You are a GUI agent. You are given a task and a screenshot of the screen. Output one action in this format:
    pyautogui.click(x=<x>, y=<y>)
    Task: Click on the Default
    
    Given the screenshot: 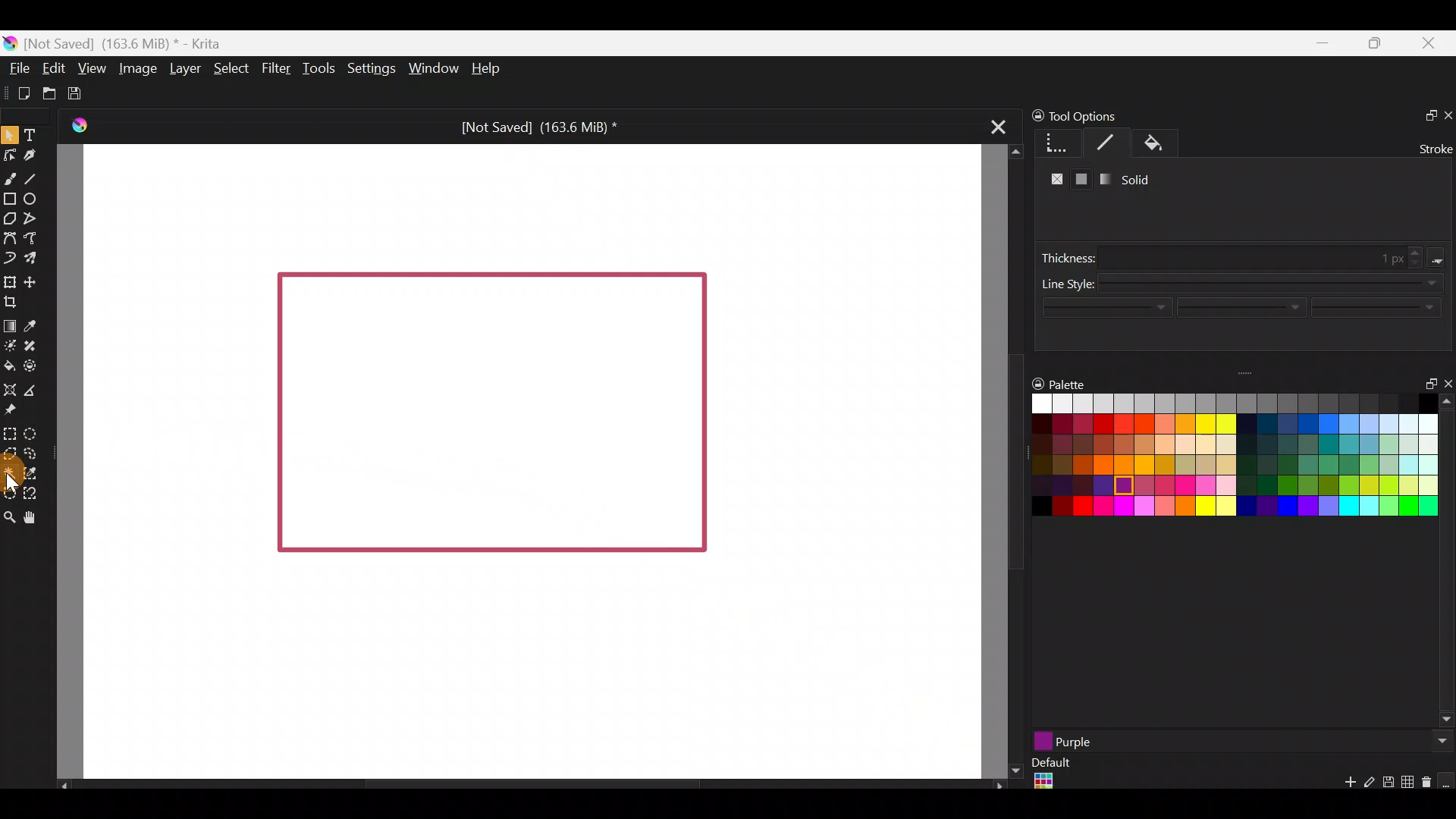 What is the action you would take?
    pyautogui.click(x=1050, y=775)
    